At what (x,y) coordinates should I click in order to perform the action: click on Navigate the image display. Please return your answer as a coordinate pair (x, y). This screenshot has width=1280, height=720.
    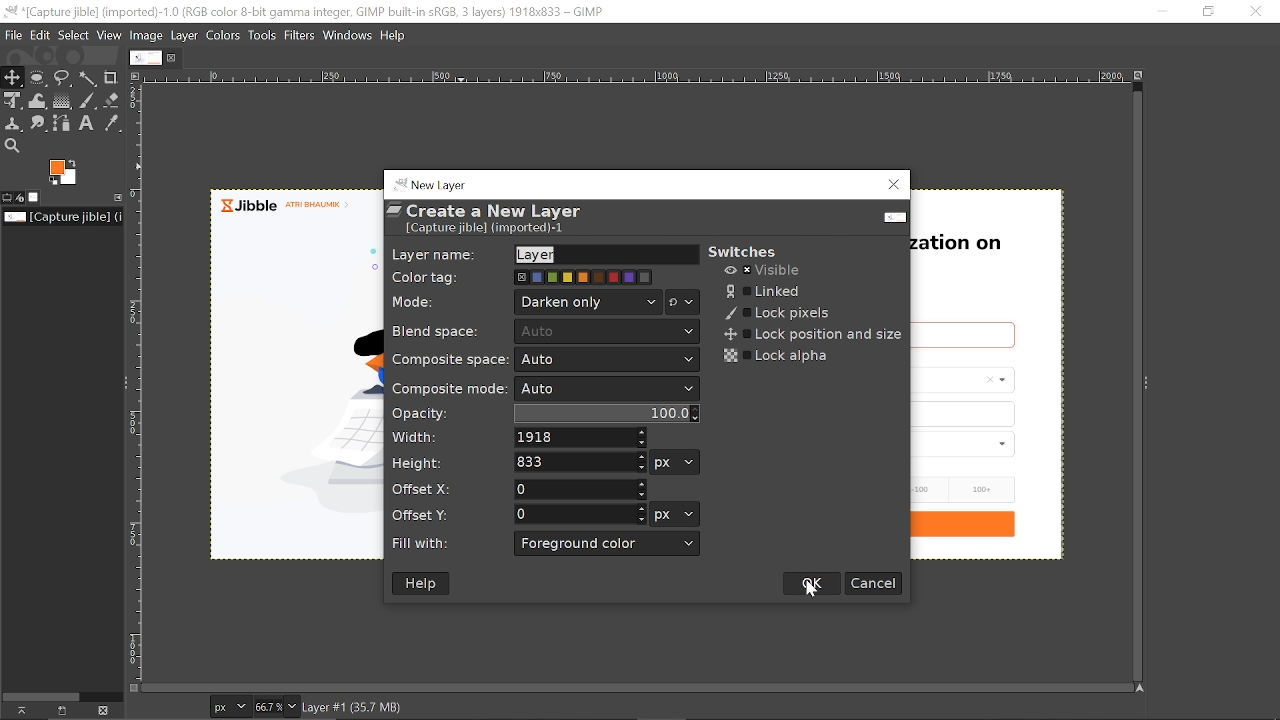
    Looking at the image, I should click on (1142, 689).